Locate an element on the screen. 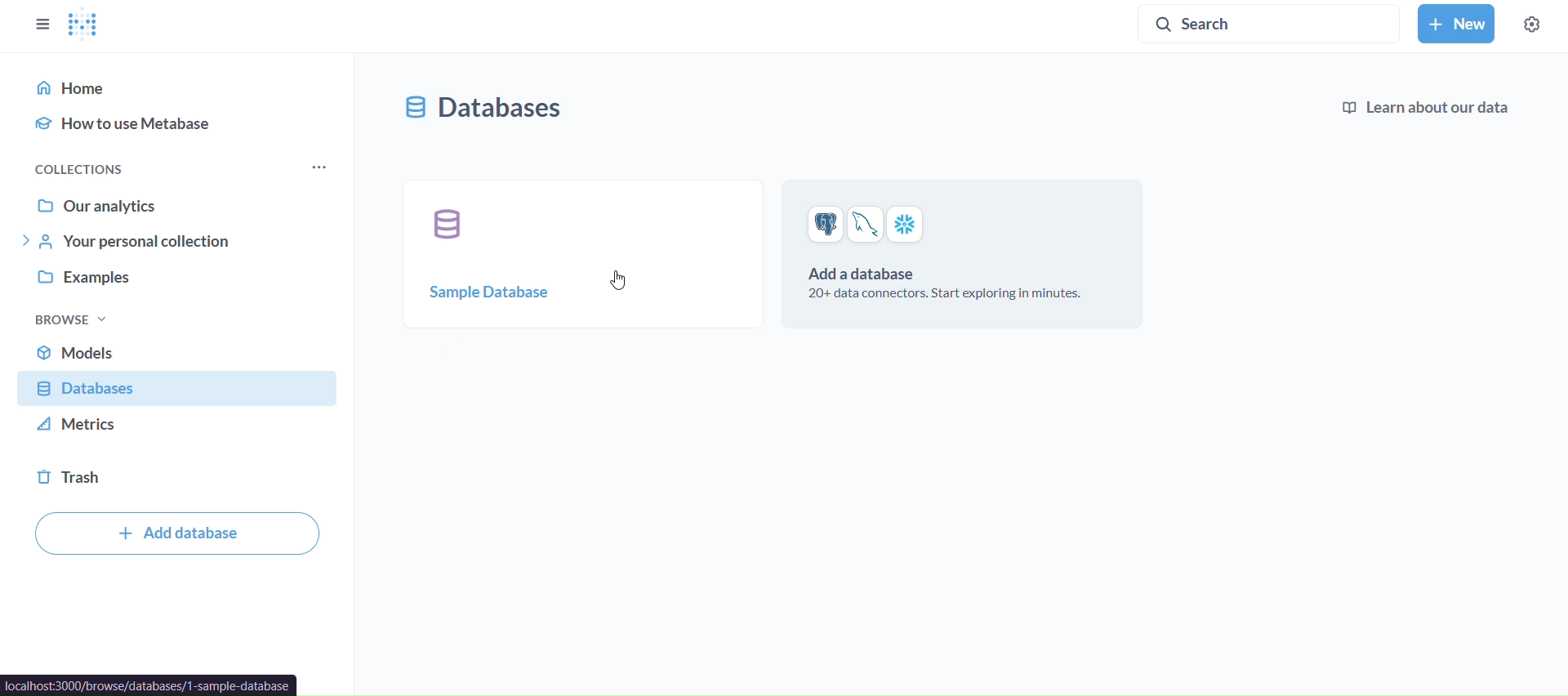 The image size is (1568, 696). home is located at coordinates (176, 85).